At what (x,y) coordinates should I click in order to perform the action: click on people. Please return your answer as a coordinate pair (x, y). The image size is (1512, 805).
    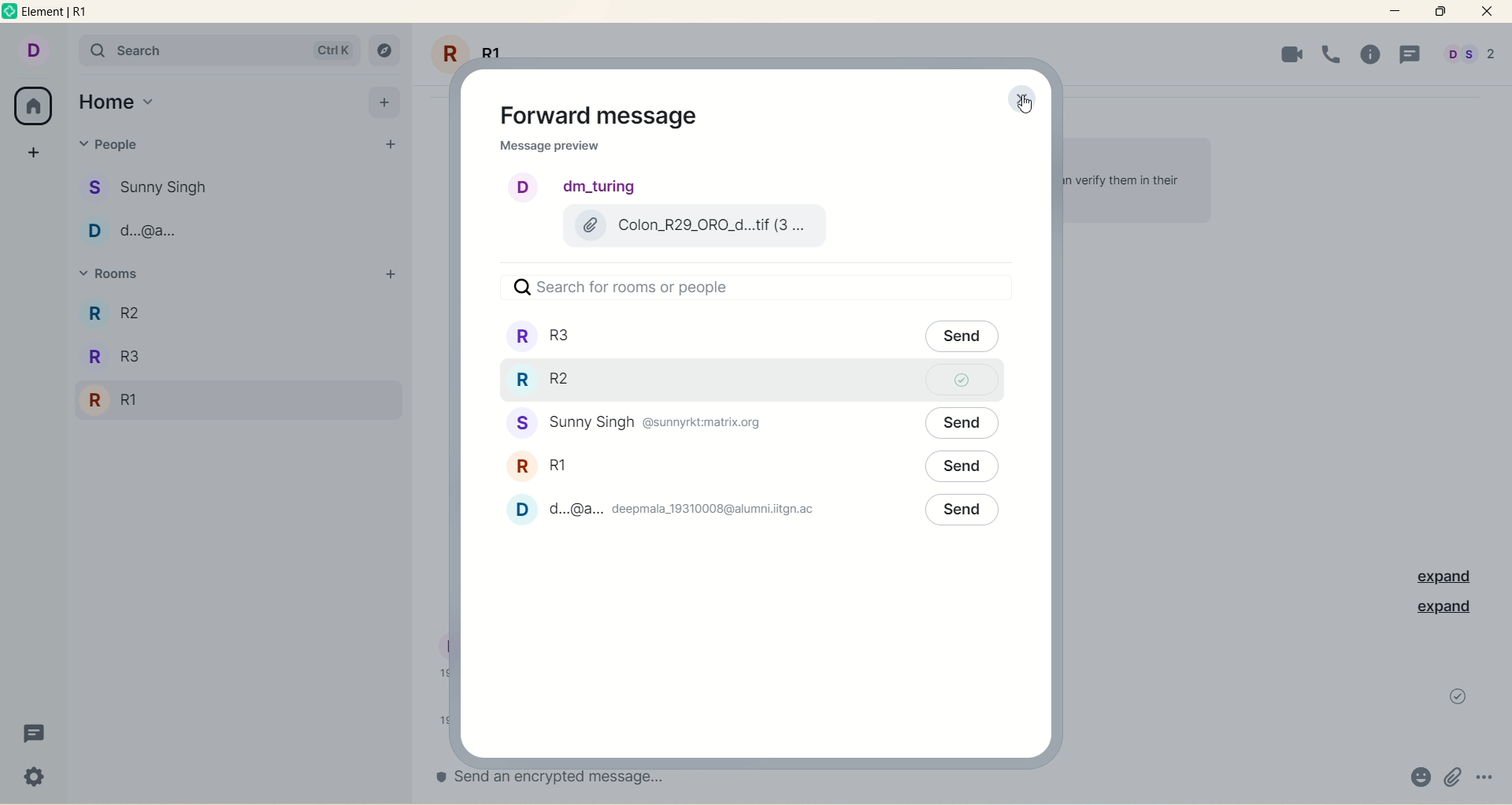
    Looking at the image, I should click on (121, 148).